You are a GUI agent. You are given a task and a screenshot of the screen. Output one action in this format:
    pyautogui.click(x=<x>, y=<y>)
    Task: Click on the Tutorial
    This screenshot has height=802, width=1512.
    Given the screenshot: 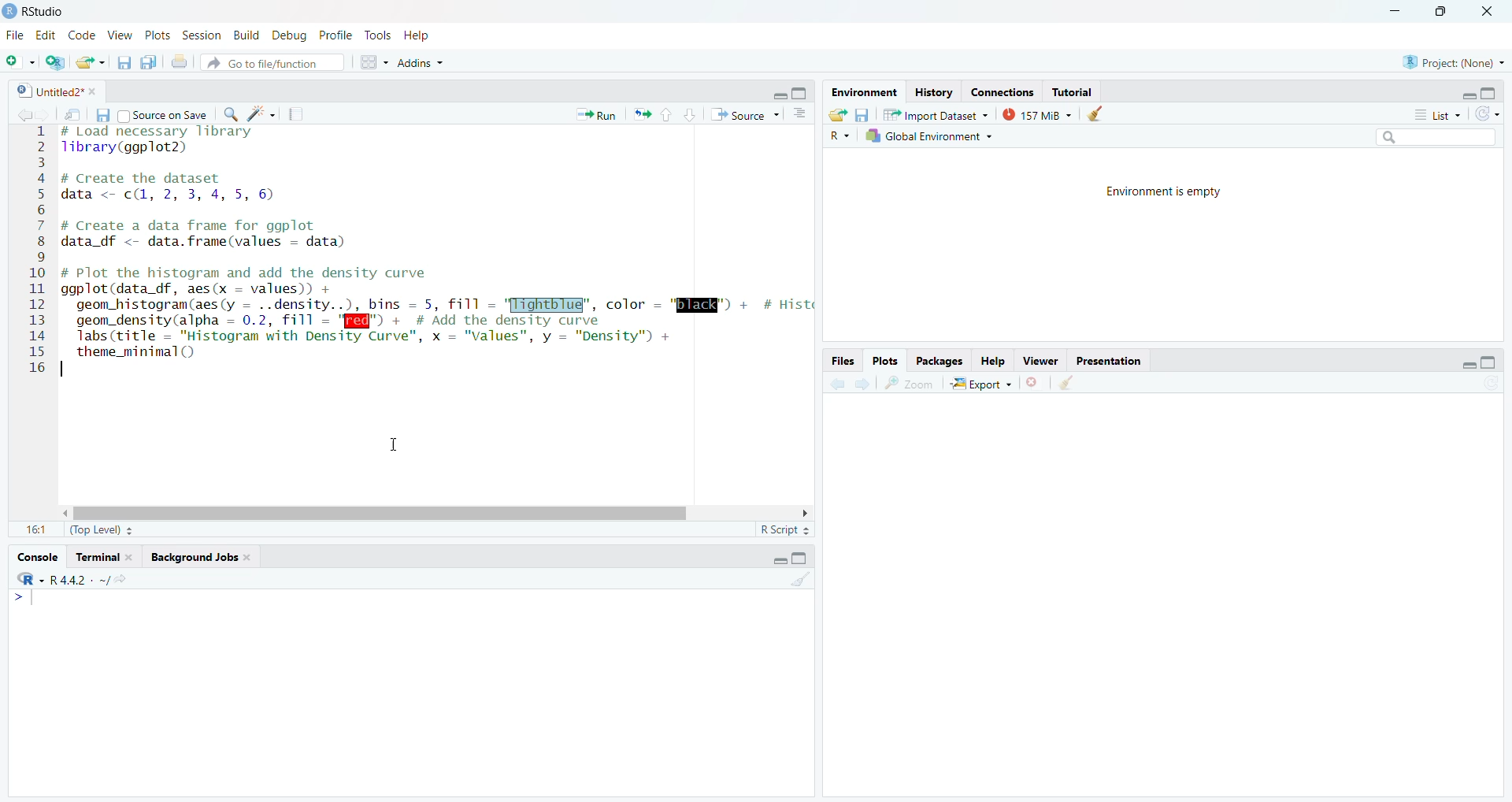 What is the action you would take?
    pyautogui.click(x=1073, y=91)
    